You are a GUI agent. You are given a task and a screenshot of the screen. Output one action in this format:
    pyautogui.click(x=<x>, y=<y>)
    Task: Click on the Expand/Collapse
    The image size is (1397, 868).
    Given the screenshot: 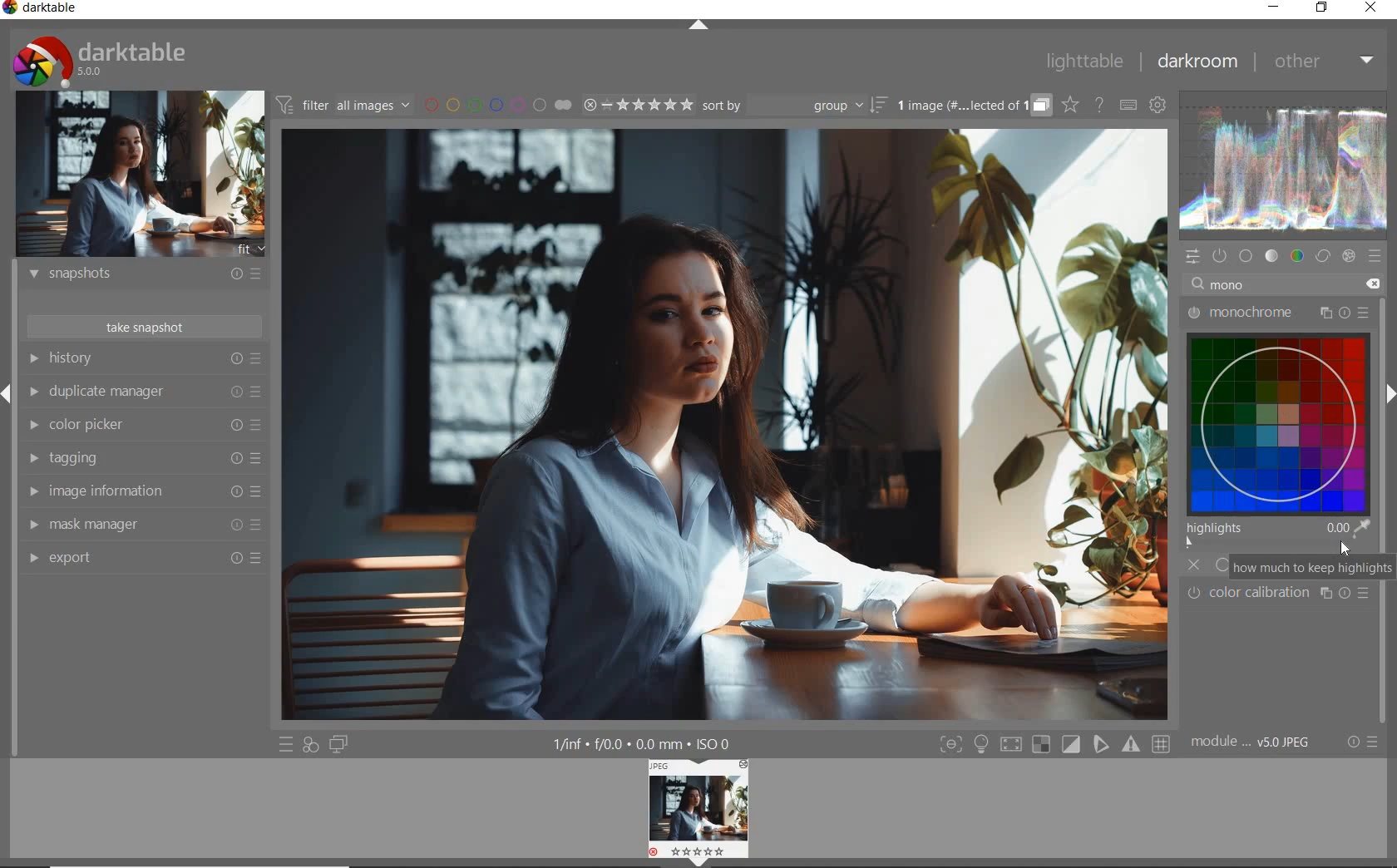 What is the action you would take?
    pyautogui.click(x=1389, y=394)
    